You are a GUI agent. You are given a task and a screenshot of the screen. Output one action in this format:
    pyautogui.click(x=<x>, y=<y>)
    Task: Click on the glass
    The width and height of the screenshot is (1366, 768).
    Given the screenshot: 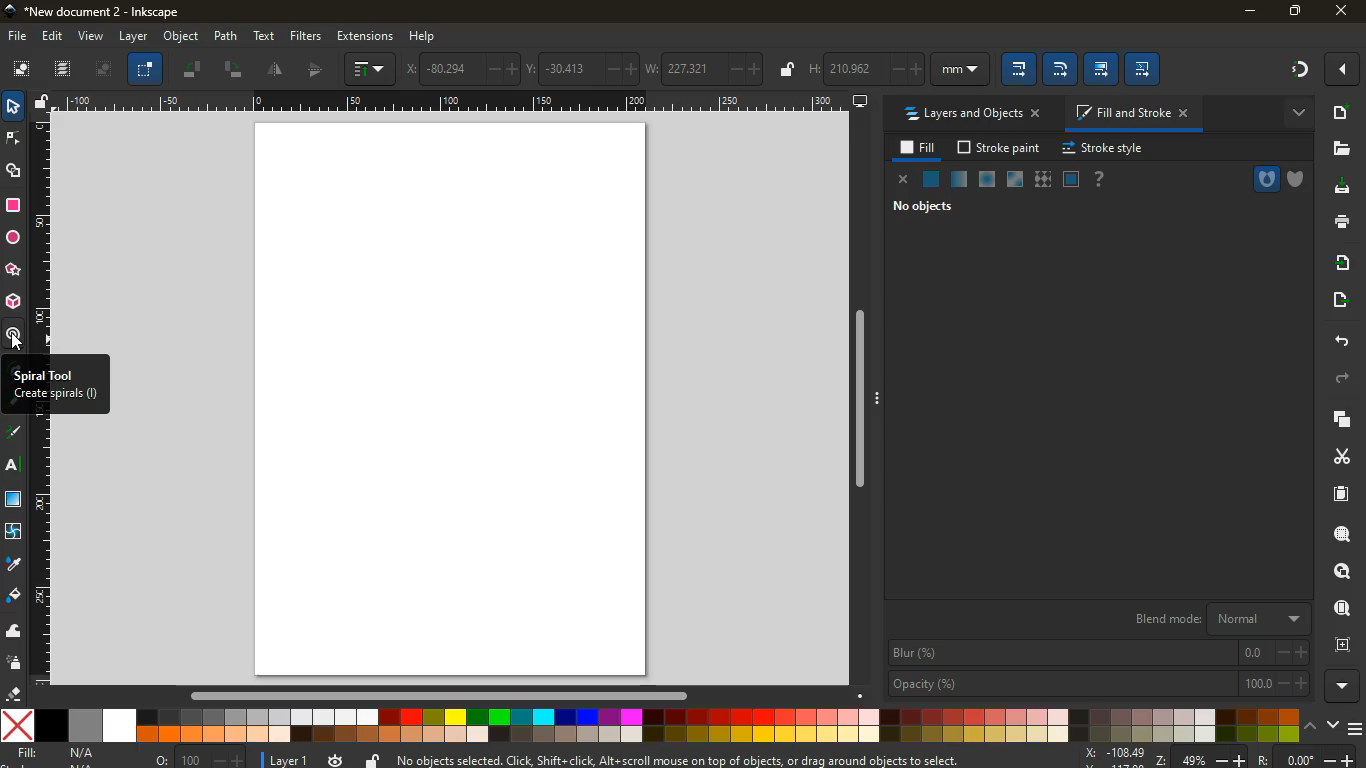 What is the action you would take?
    pyautogui.click(x=1017, y=180)
    